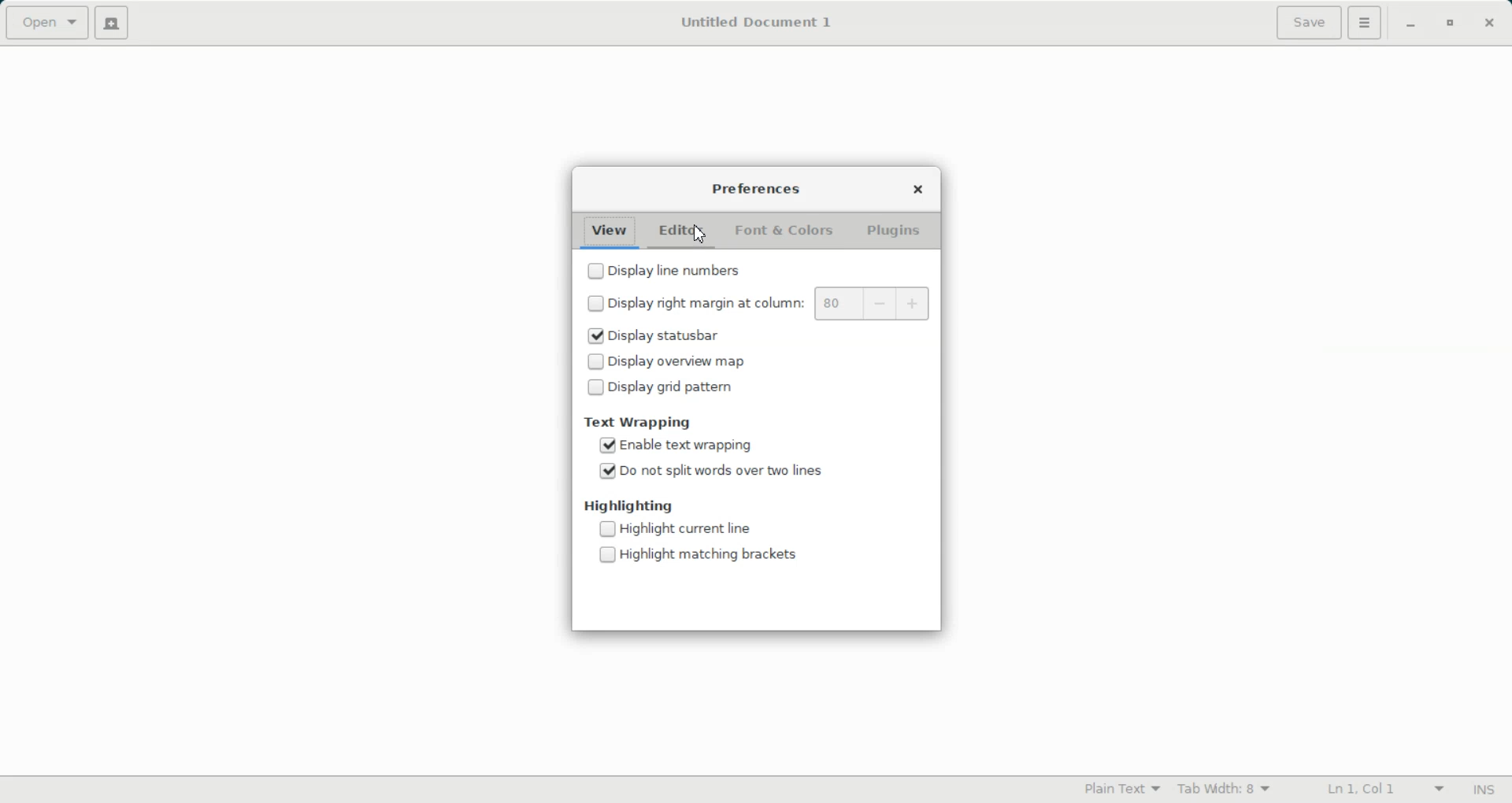 This screenshot has height=803, width=1512. Describe the element at coordinates (701, 235) in the screenshot. I see `Cursor` at that location.